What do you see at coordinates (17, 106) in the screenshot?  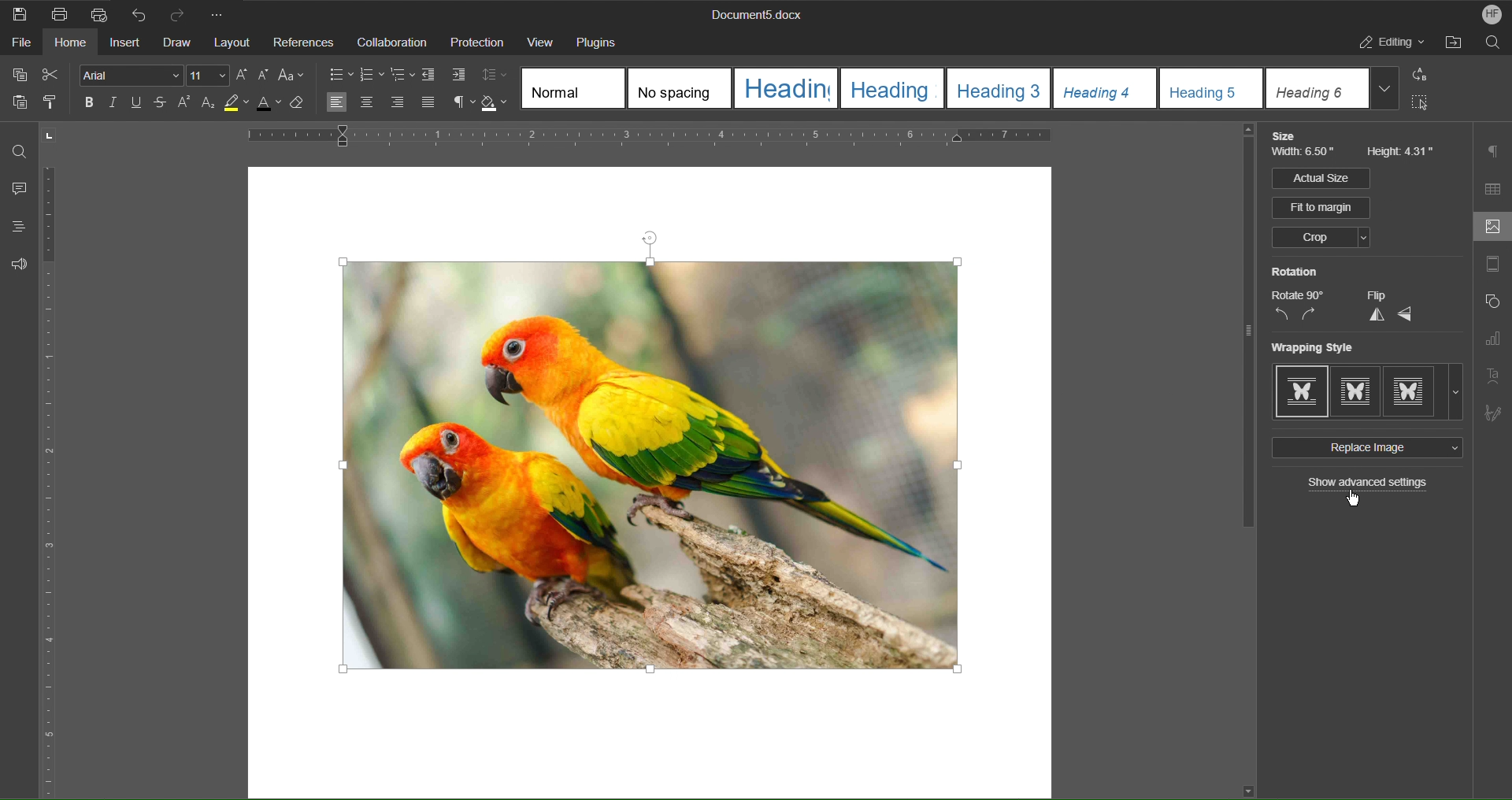 I see `Paste` at bounding box center [17, 106].